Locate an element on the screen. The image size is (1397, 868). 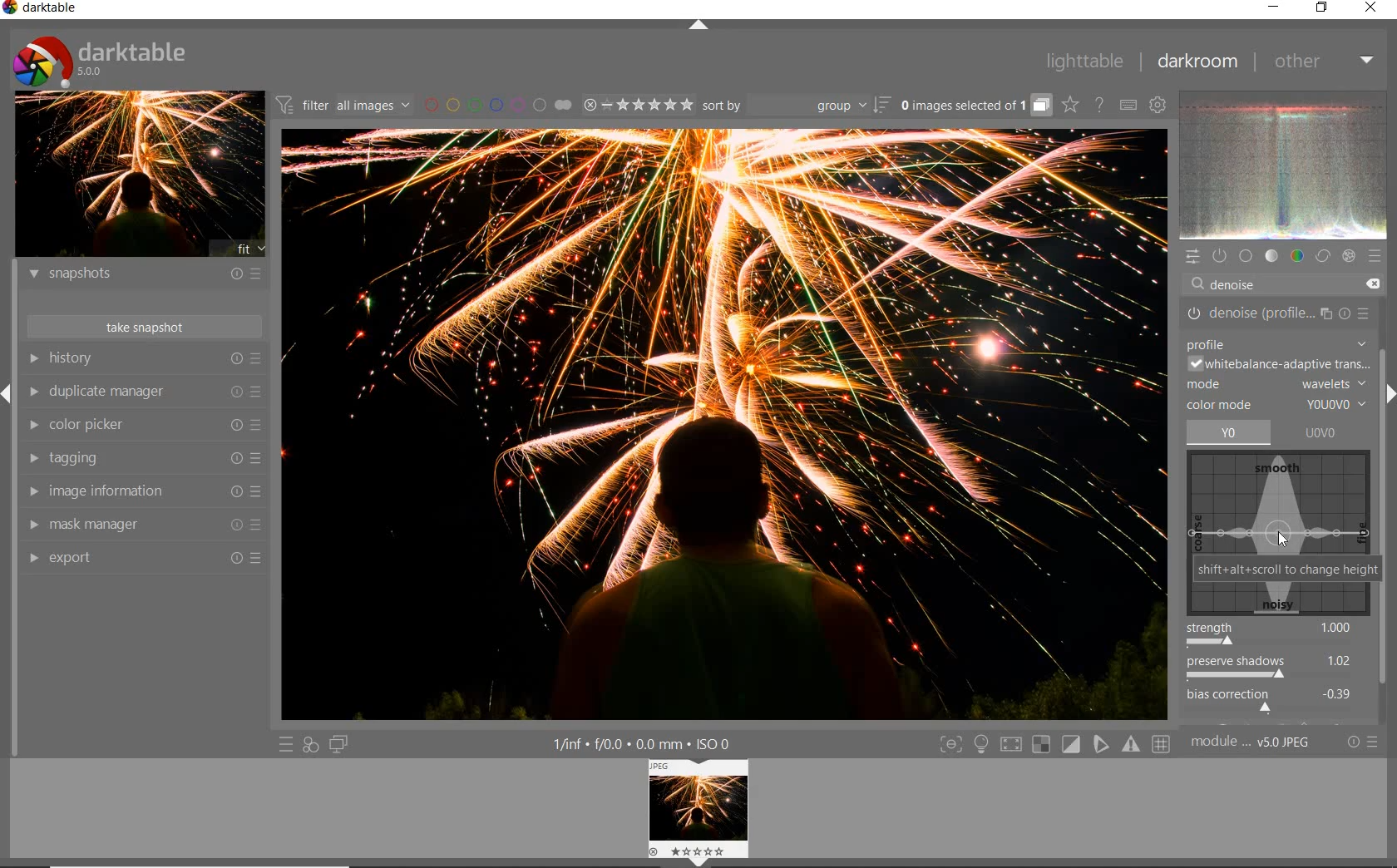
yo is located at coordinates (1230, 432).